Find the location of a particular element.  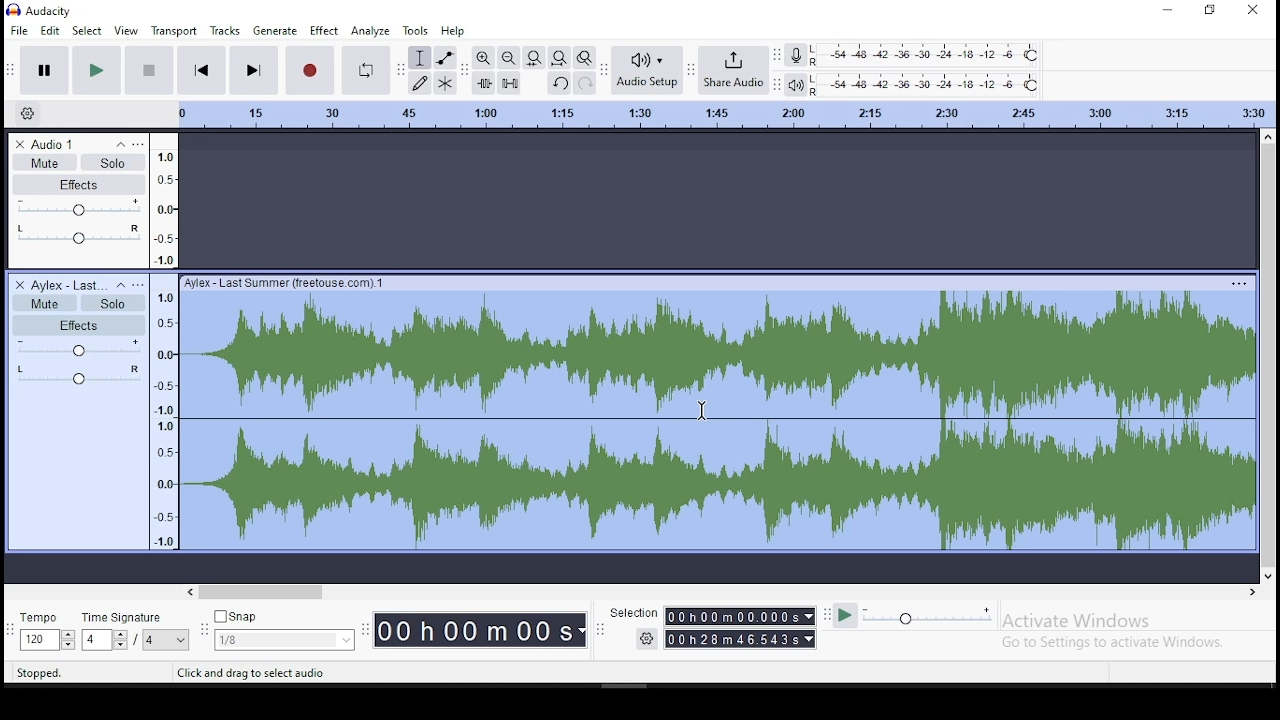

settings is located at coordinates (31, 111).